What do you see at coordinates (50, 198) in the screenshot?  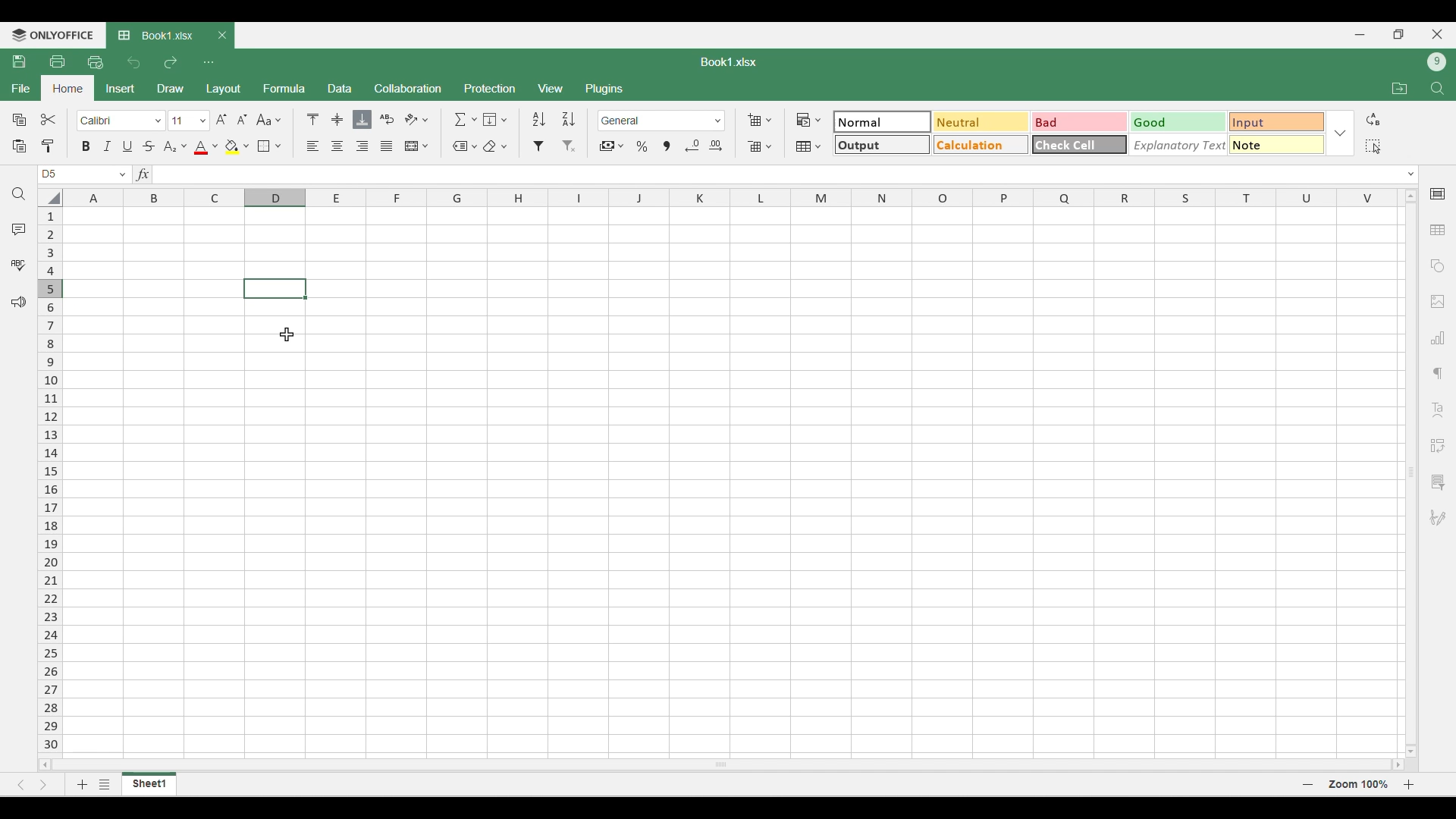 I see `Select all column and rows` at bounding box center [50, 198].